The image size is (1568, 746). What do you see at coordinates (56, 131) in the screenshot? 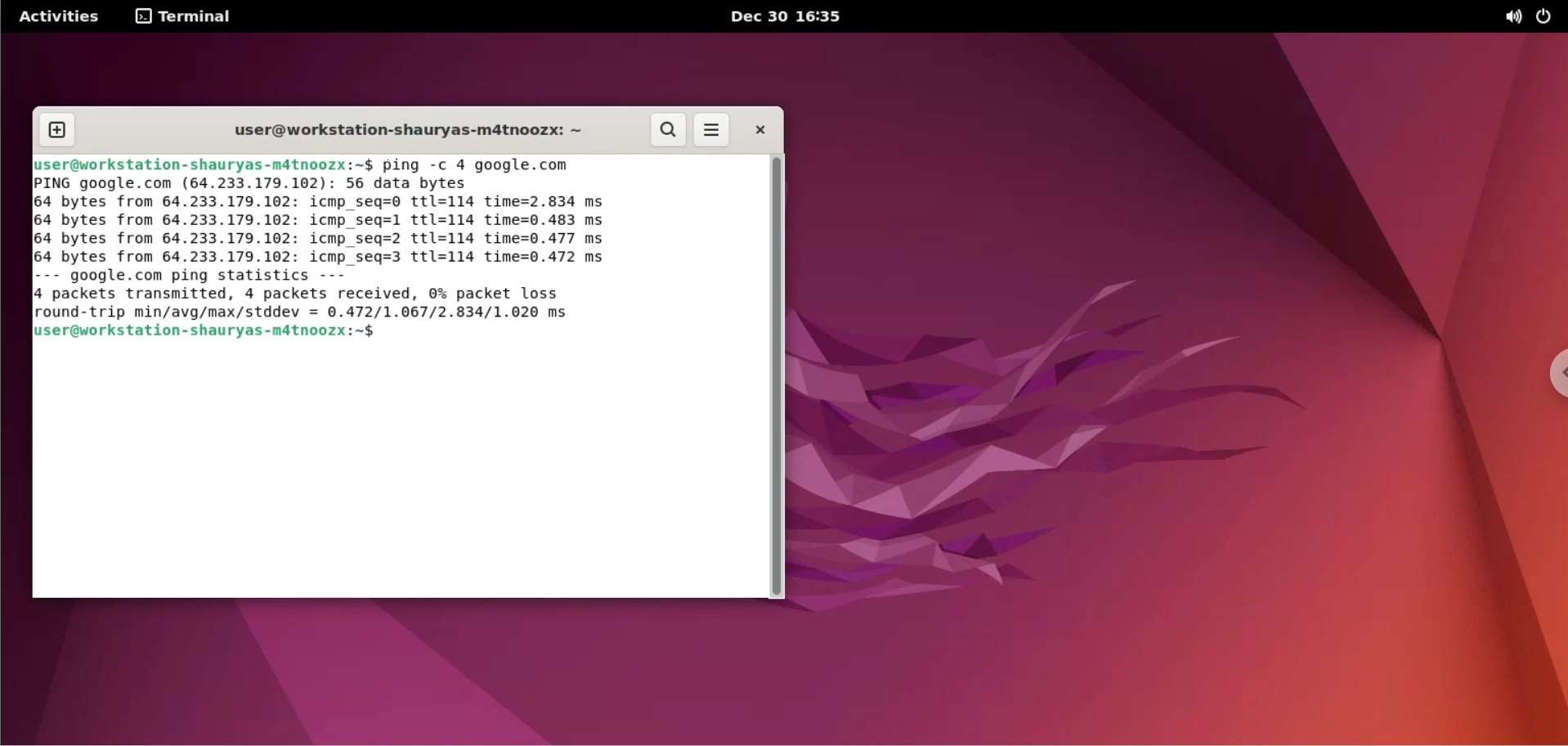
I see `new tab` at bounding box center [56, 131].